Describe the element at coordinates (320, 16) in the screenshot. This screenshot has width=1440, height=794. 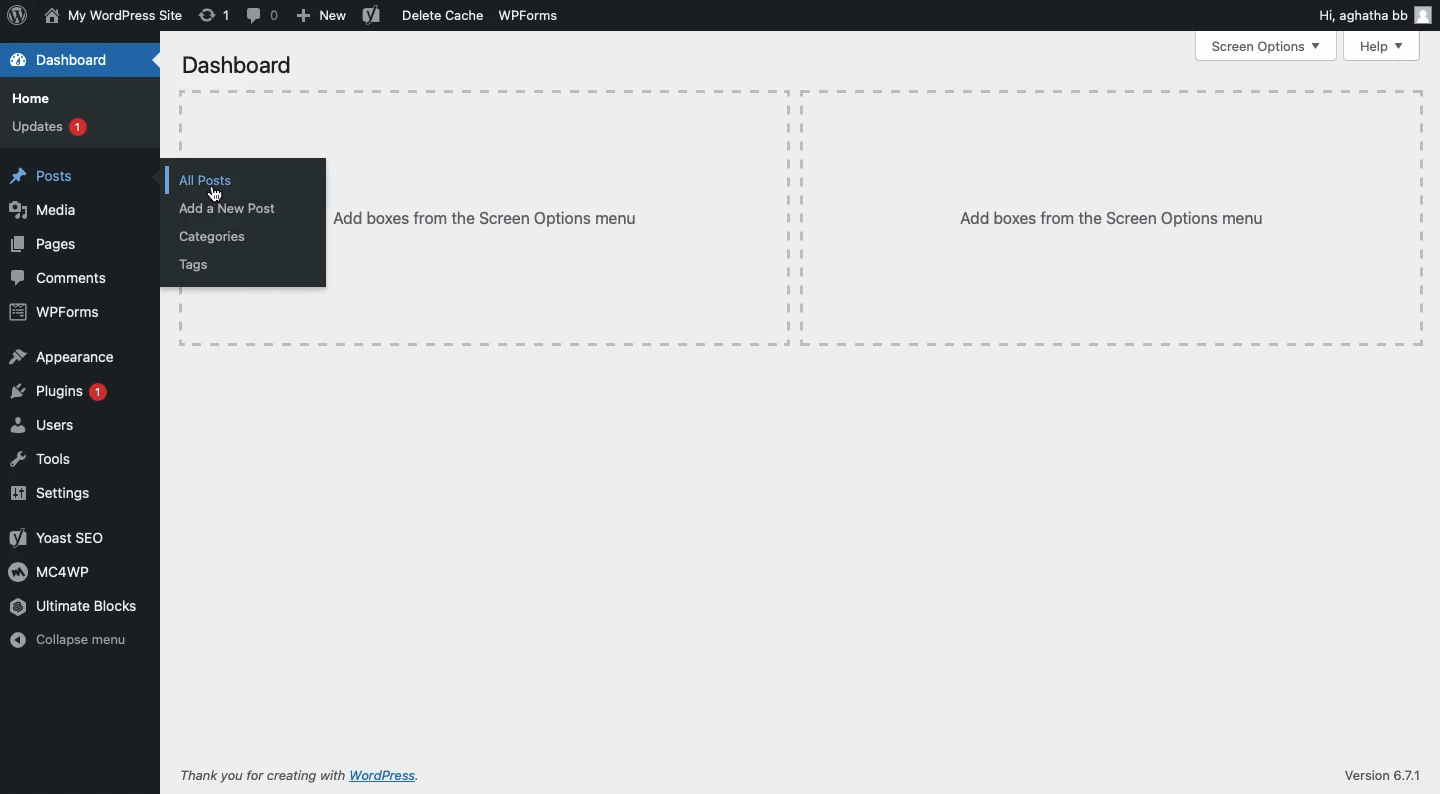
I see `New` at that location.